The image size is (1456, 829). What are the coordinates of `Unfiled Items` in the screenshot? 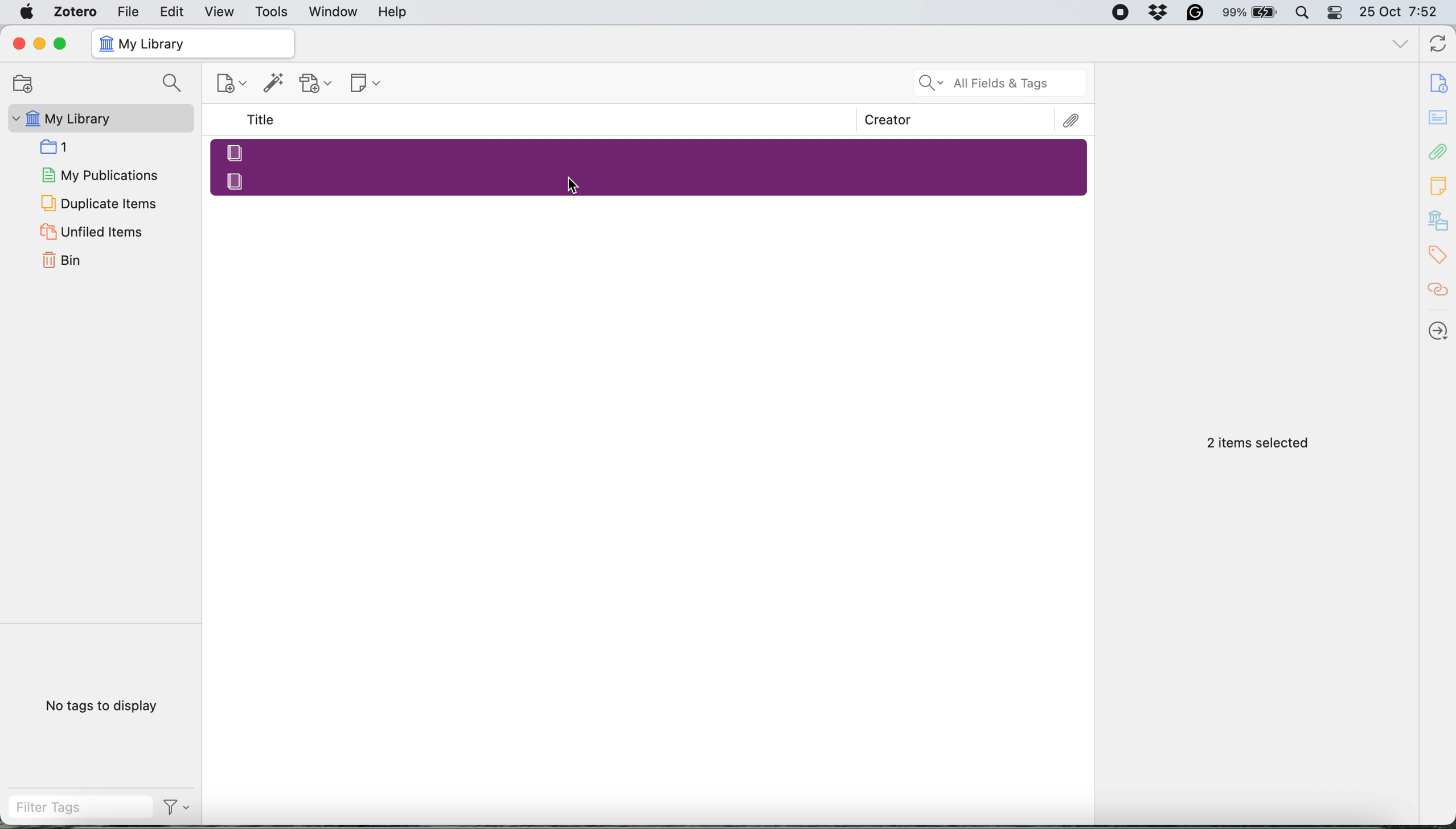 It's located at (94, 231).